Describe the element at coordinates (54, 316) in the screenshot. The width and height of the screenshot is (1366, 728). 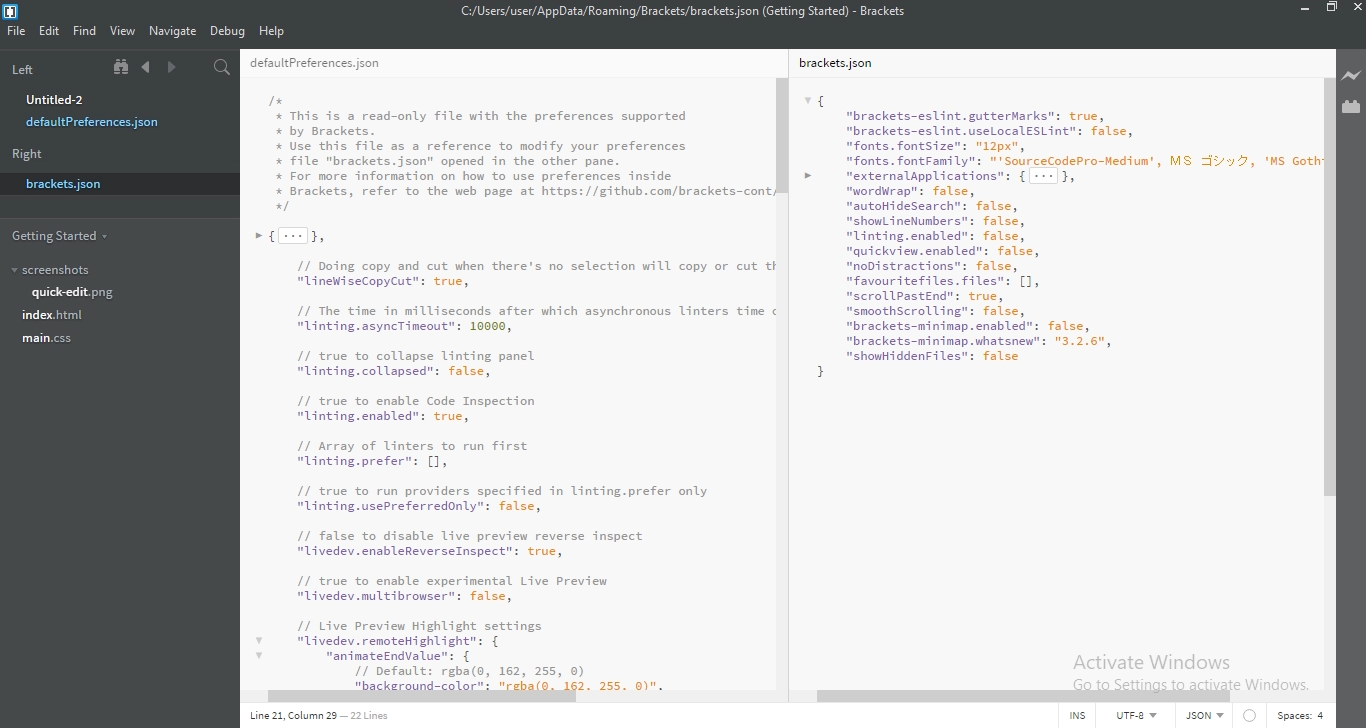
I see `index.html` at that location.